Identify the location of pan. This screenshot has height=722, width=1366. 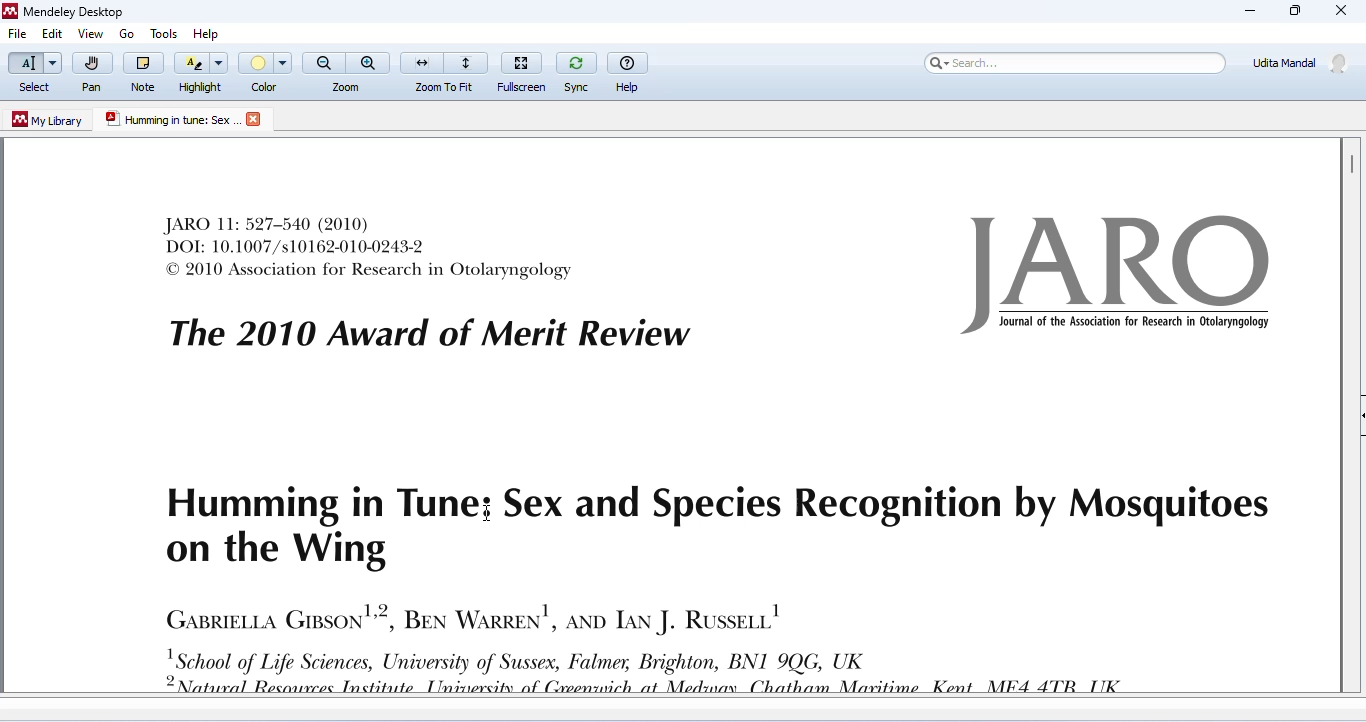
(91, 73).